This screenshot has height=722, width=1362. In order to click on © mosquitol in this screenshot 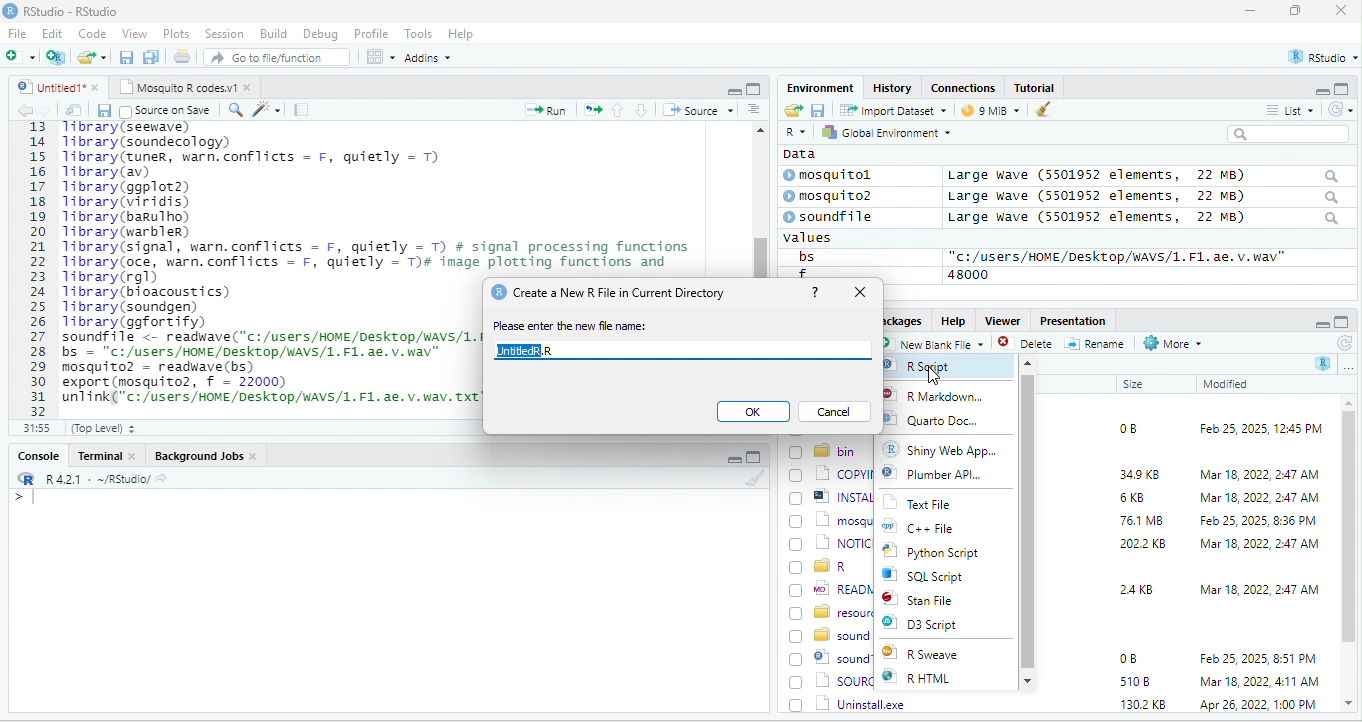, I will do `click(842, 175)`.